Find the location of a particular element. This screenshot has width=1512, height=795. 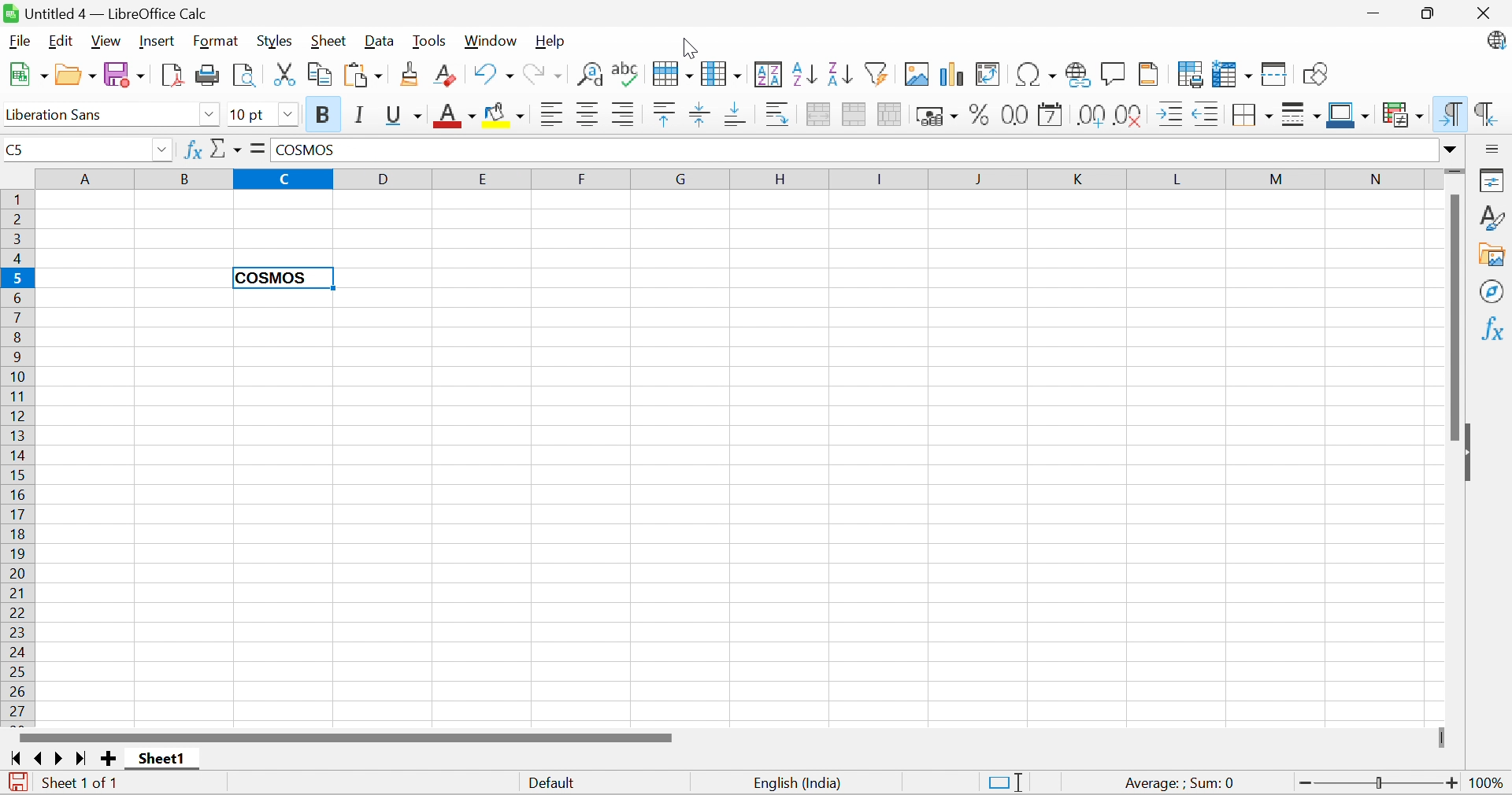

Unmerge Cells is located at coordinates (890, 115).